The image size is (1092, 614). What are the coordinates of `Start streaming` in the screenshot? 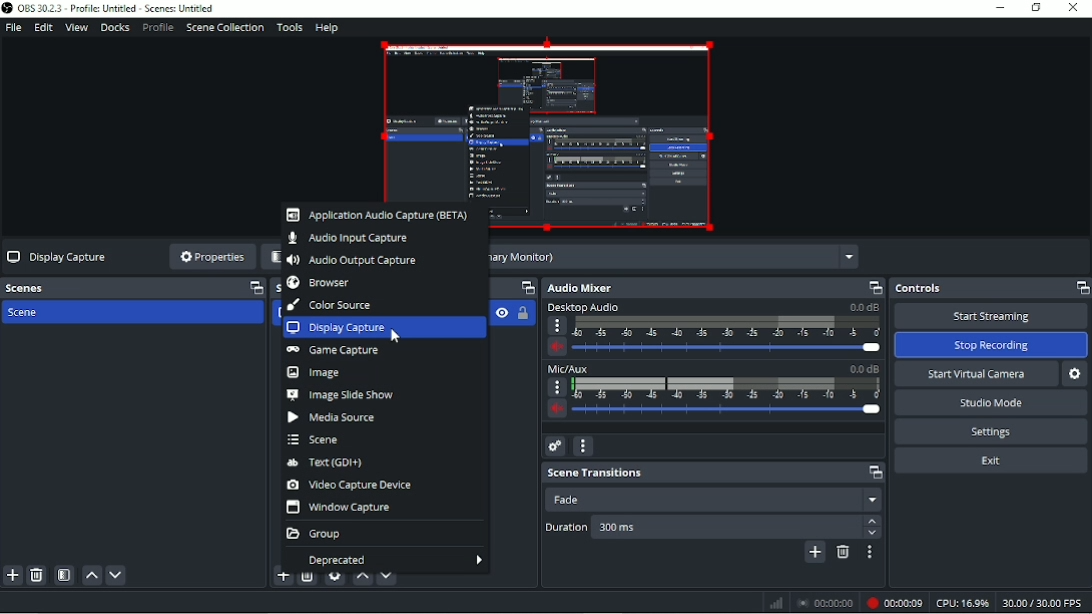 It's located at (989, 317).